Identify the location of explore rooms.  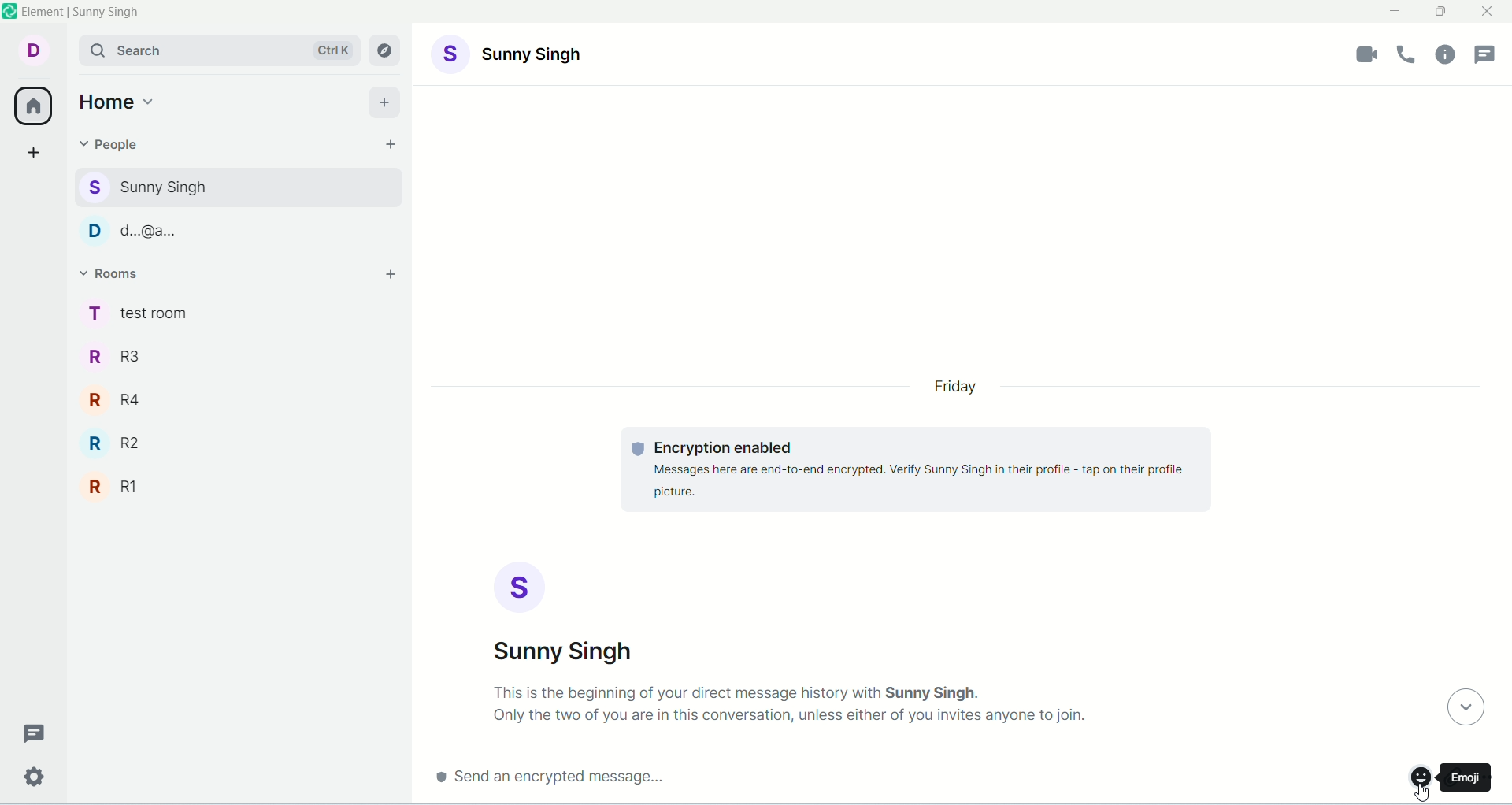
(387, 51).